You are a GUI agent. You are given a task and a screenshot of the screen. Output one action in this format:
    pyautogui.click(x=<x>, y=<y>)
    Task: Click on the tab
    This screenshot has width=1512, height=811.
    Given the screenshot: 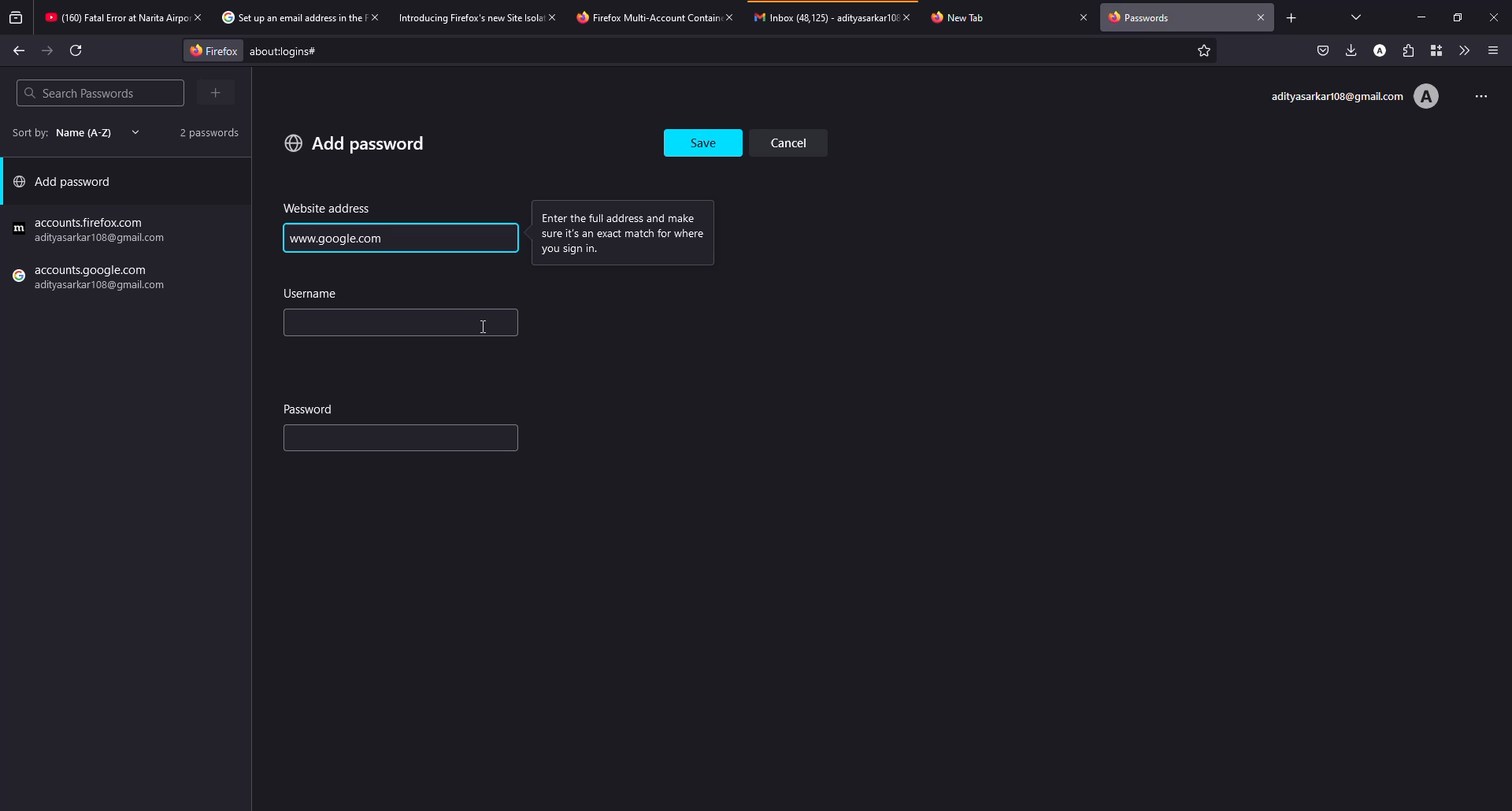 What is the action you would take?
    pyautogui.click(x=644, y=17)
    